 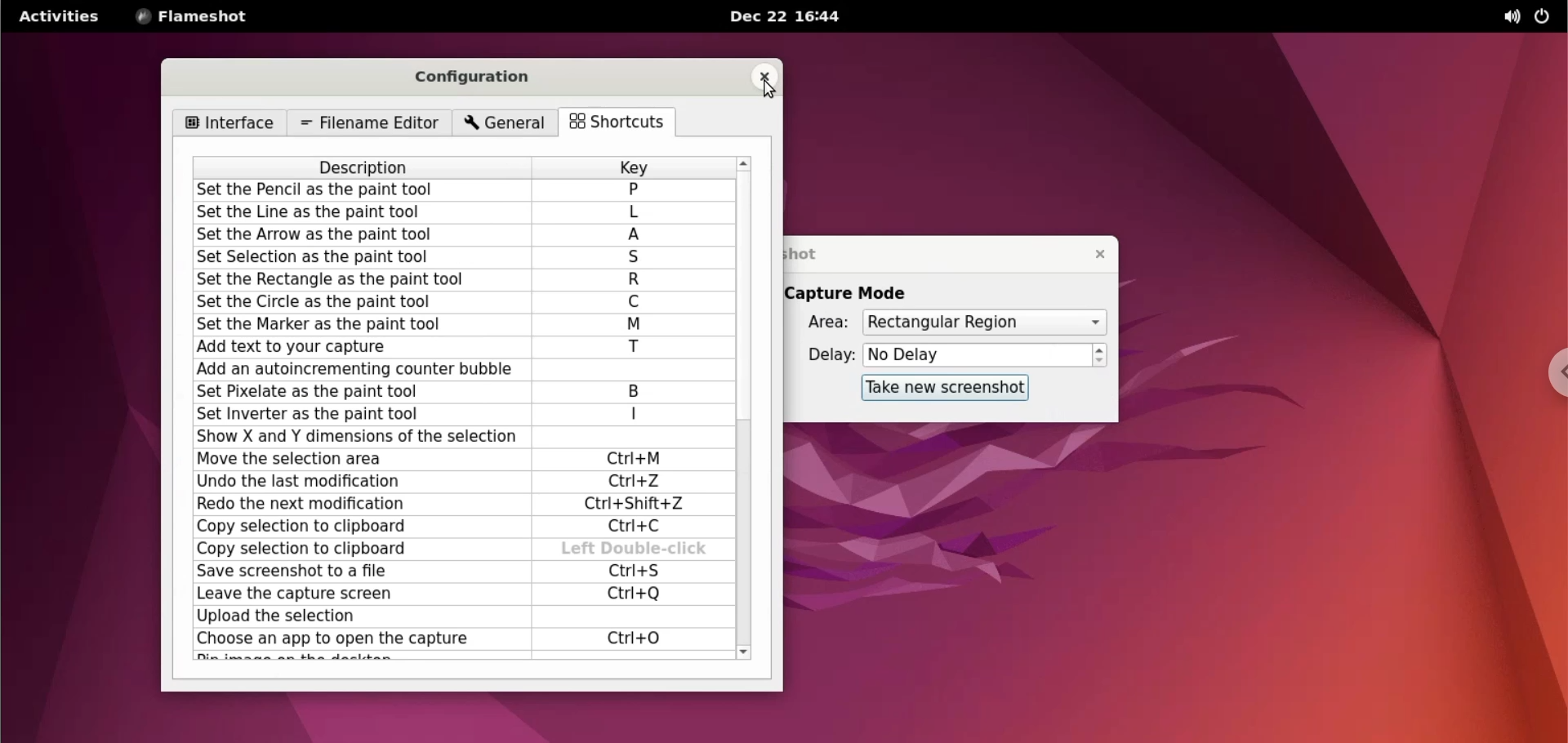 I want to click on Area:, so click(x=817, y=323).